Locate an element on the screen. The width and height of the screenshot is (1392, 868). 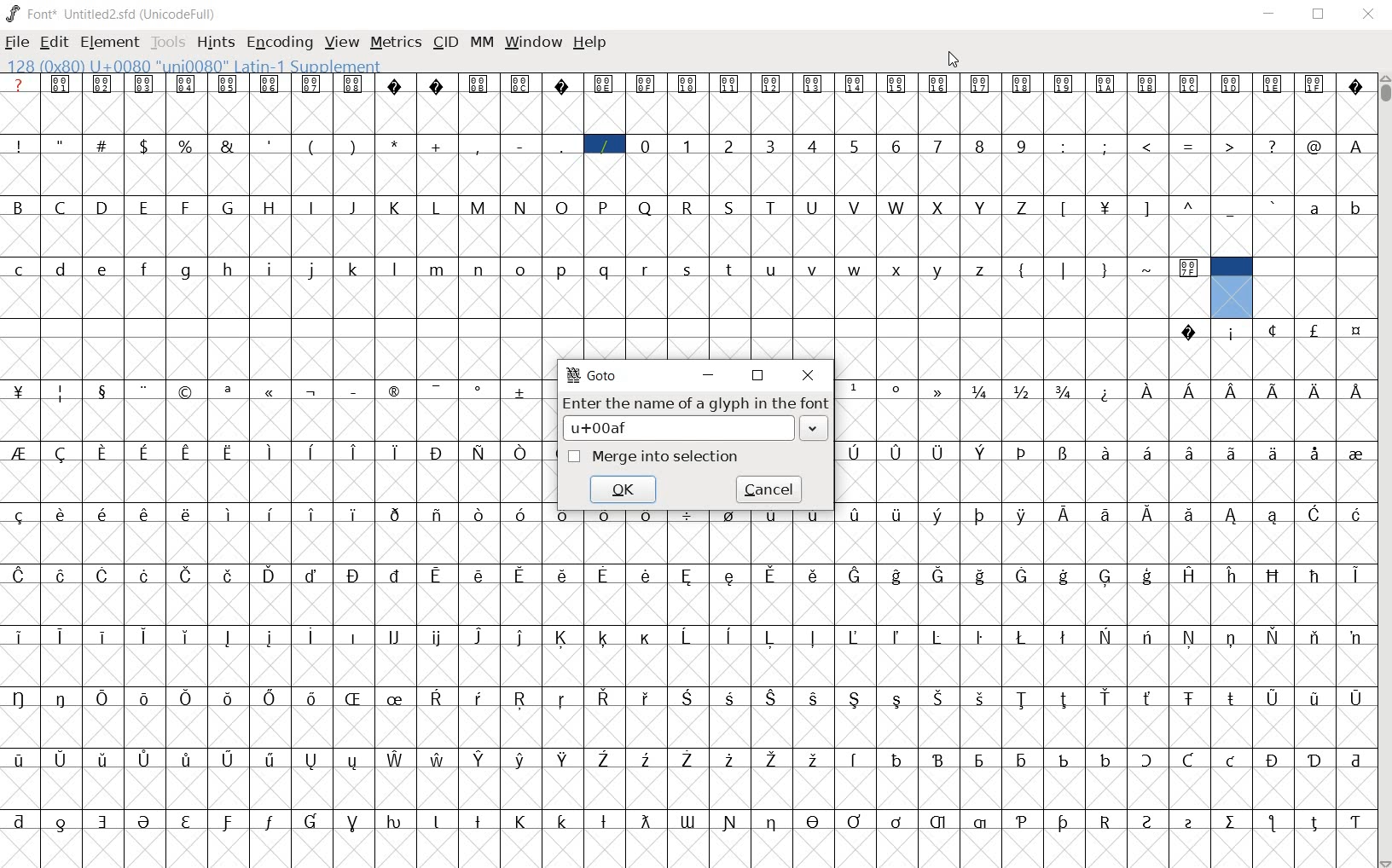
Enter the name of a glyph in the font is located at coordinates (695, 404).